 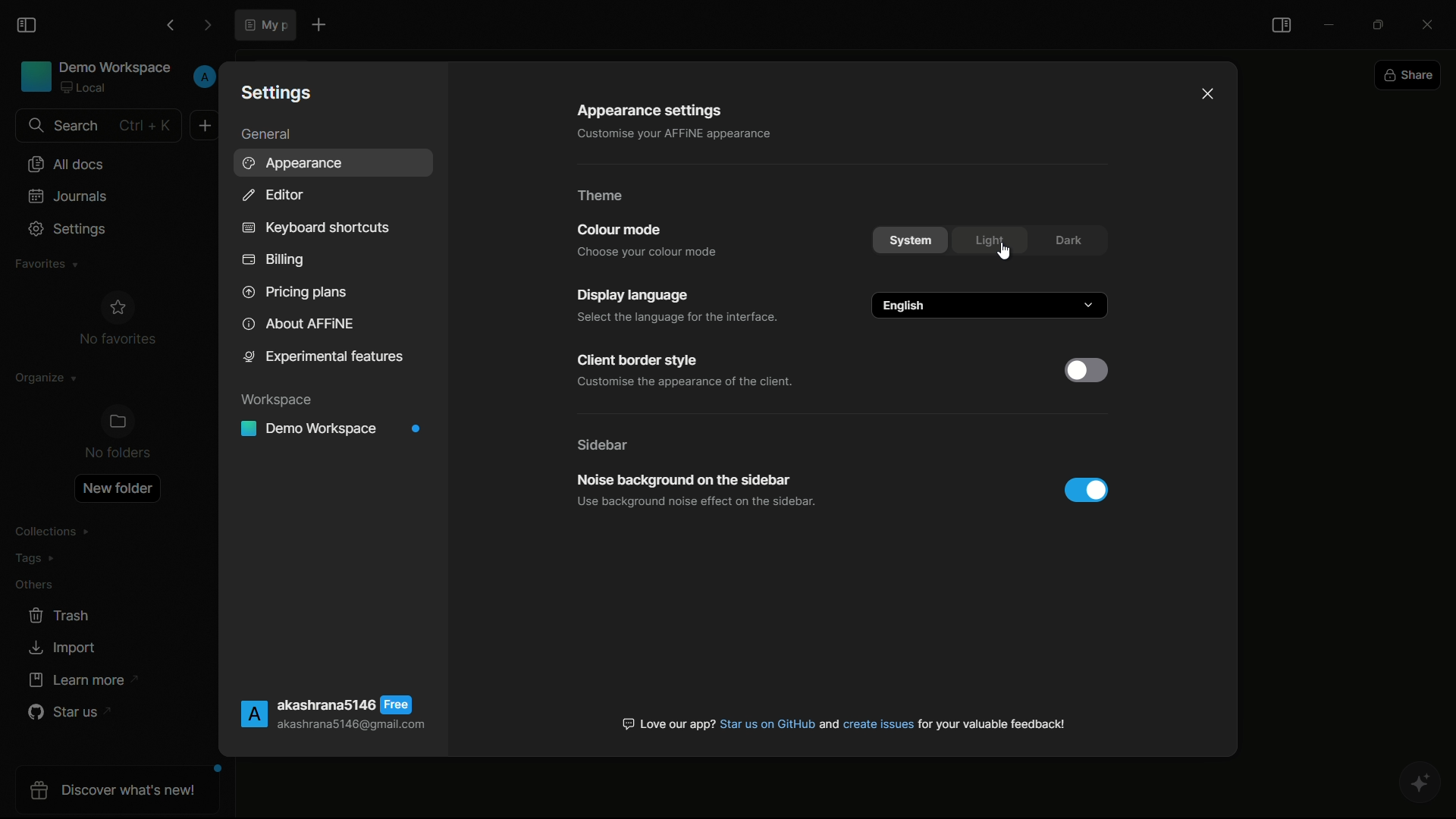 What do you see at coordinates (206, 124) in the screenshot?
I see `new document` at bounding box center [206, 124].